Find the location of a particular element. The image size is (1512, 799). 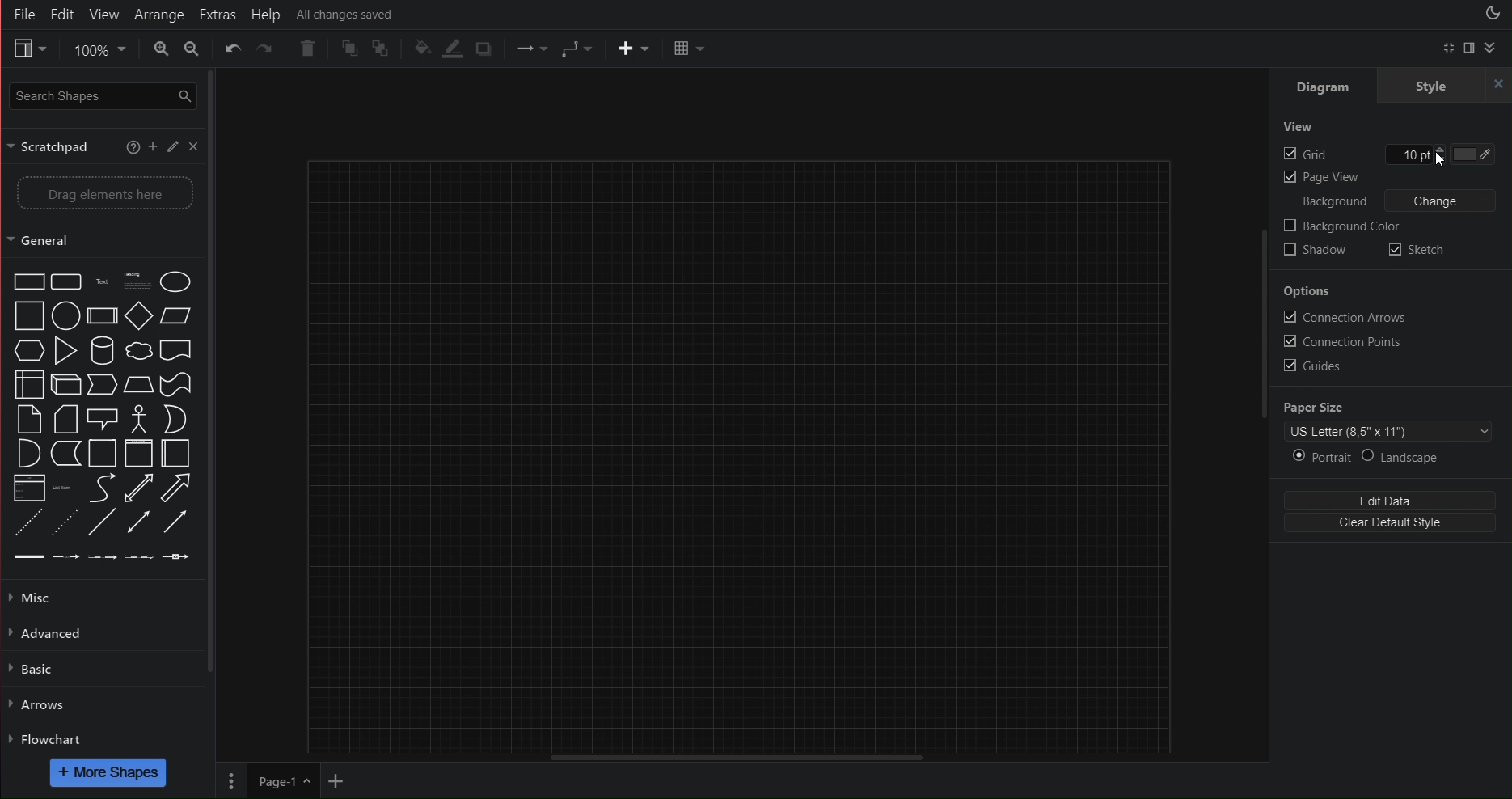

ellipse is located at coordinates (68, 315).